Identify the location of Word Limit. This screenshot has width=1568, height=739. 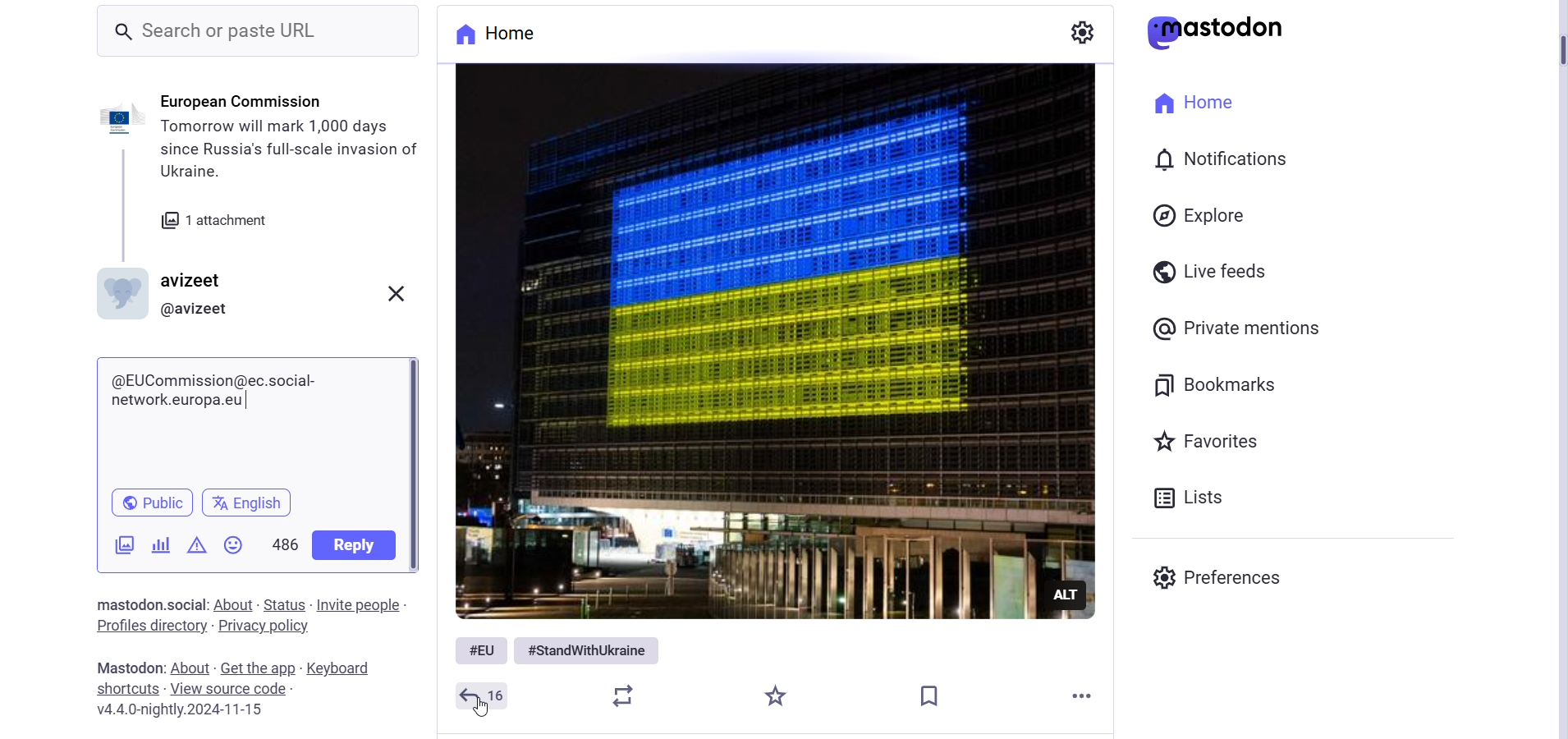
(280, 543).